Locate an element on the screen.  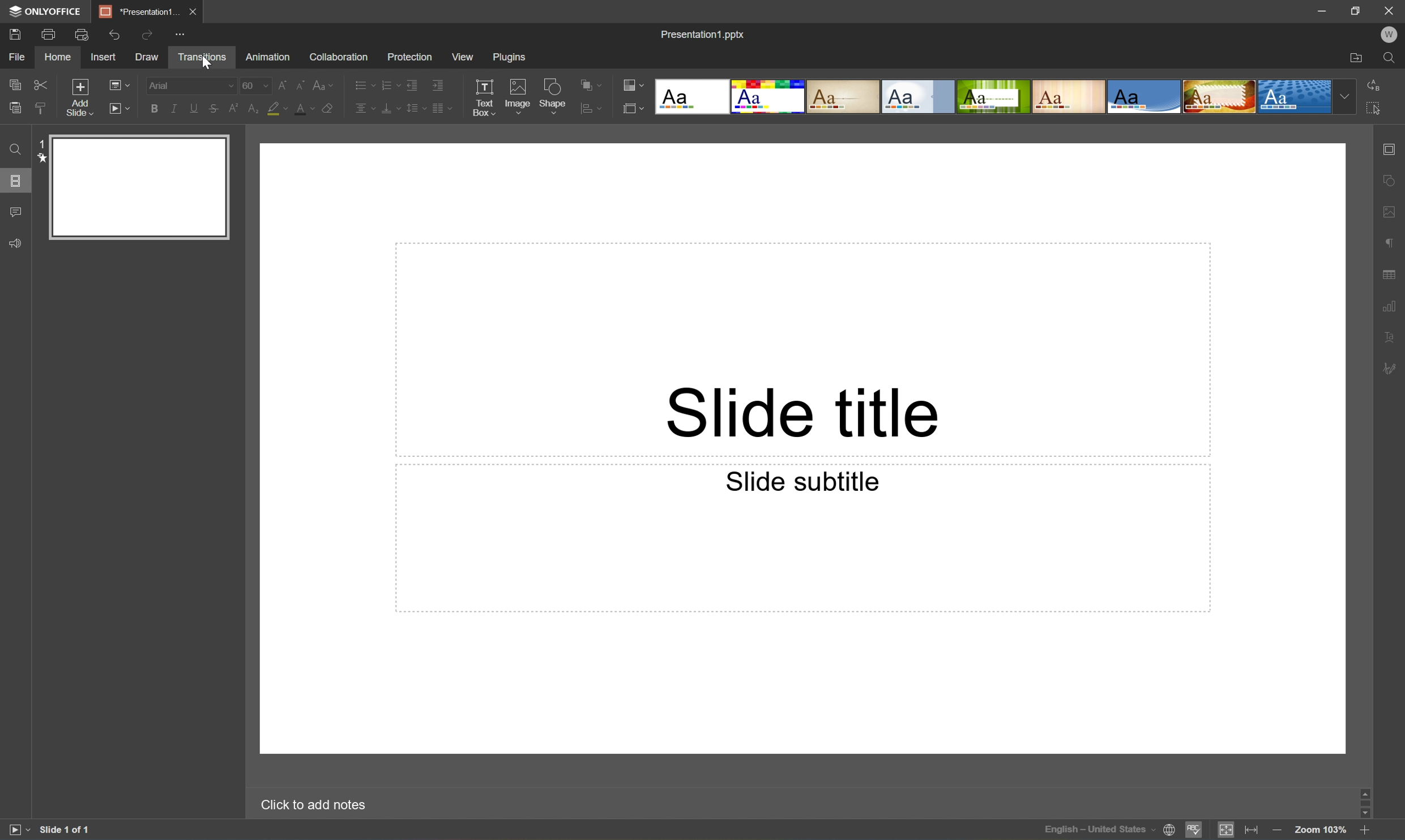
Bullets is located at coordinates (366, 84).